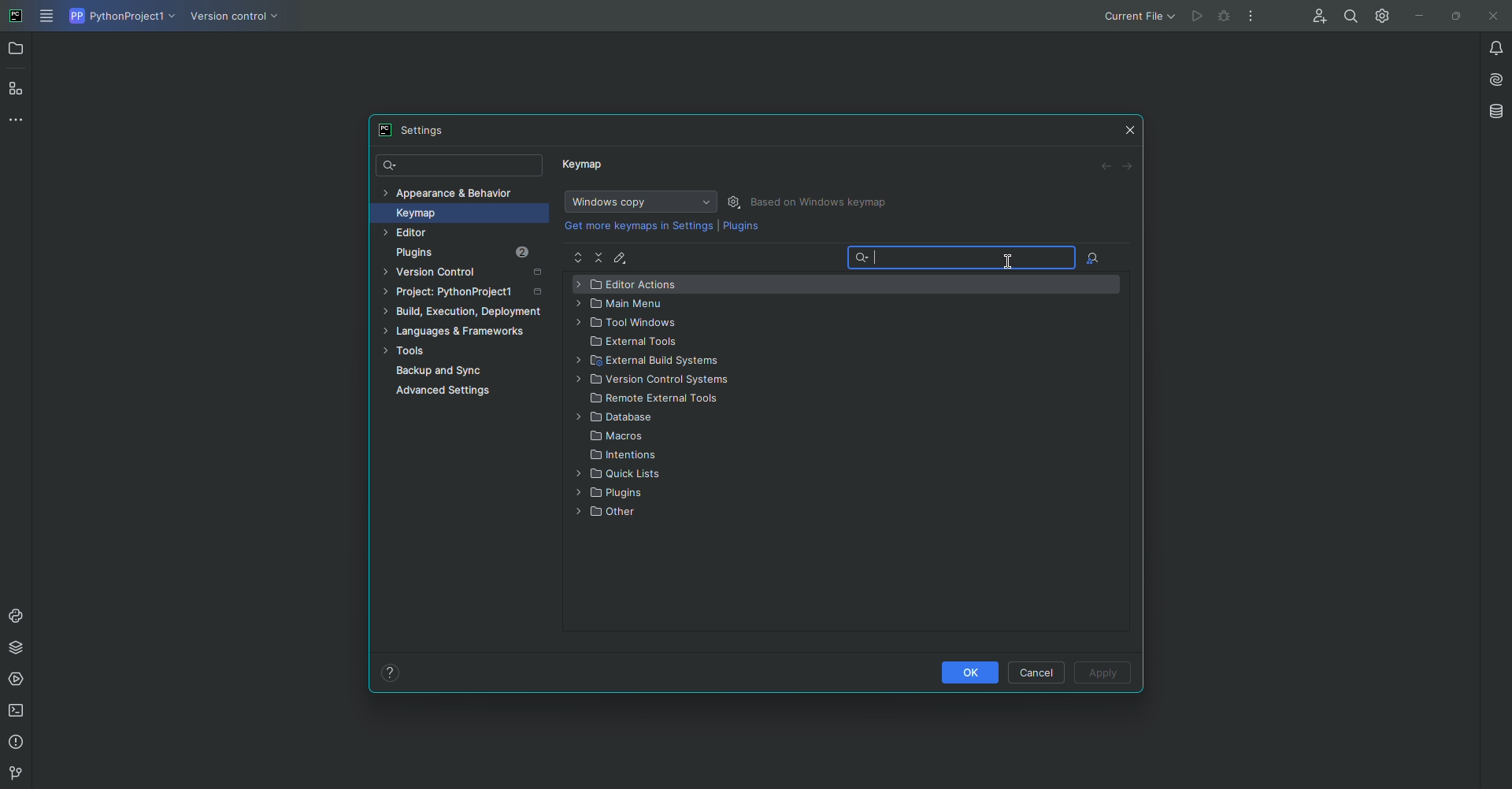 The width and height of the screenshot is (1512, 789). Describe the element at coordinates (1491, 17) in the screenshot. I see `Close` at that location.